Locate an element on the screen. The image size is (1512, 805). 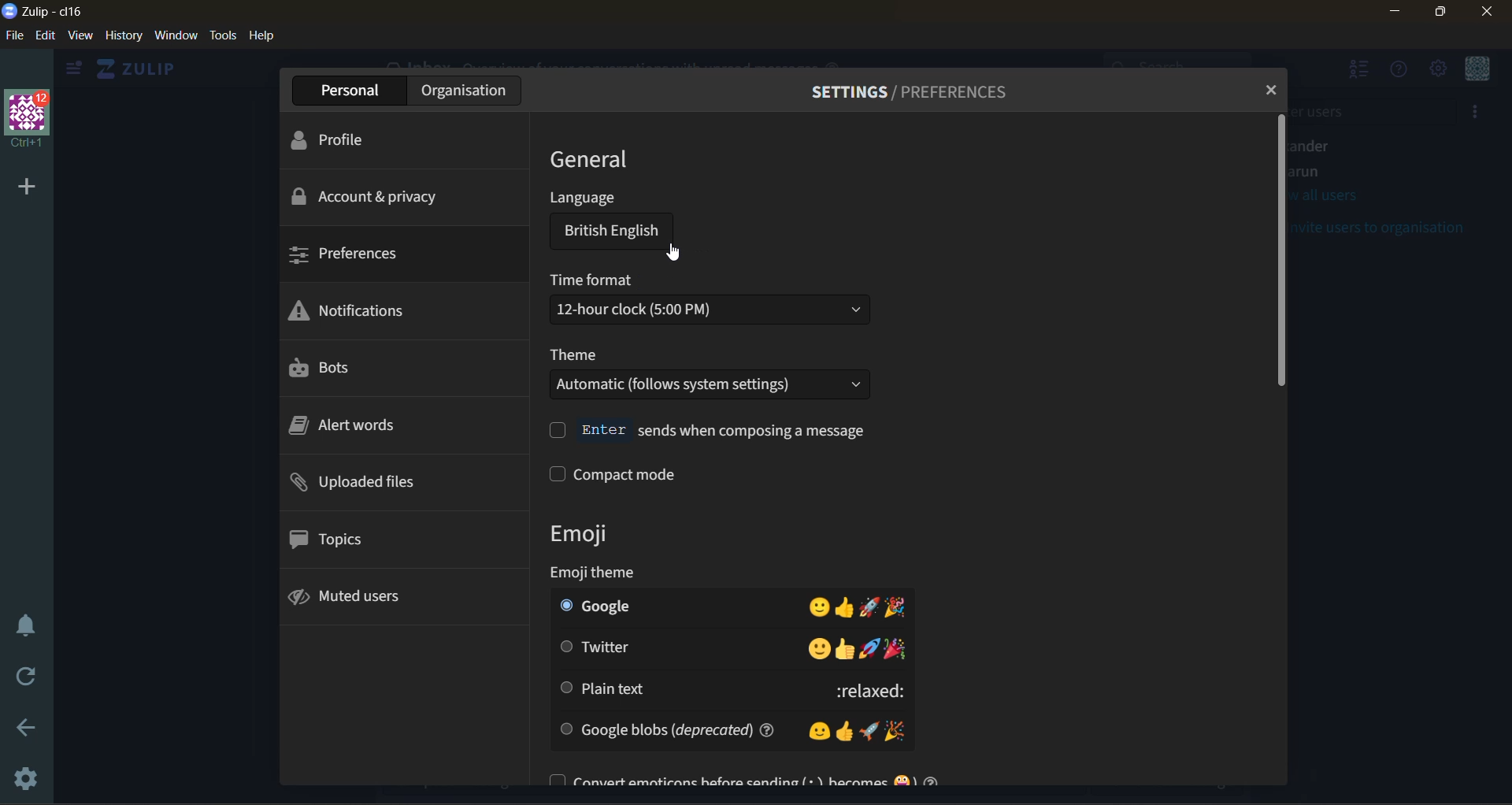
muted users is located at coordinates (362, 597).